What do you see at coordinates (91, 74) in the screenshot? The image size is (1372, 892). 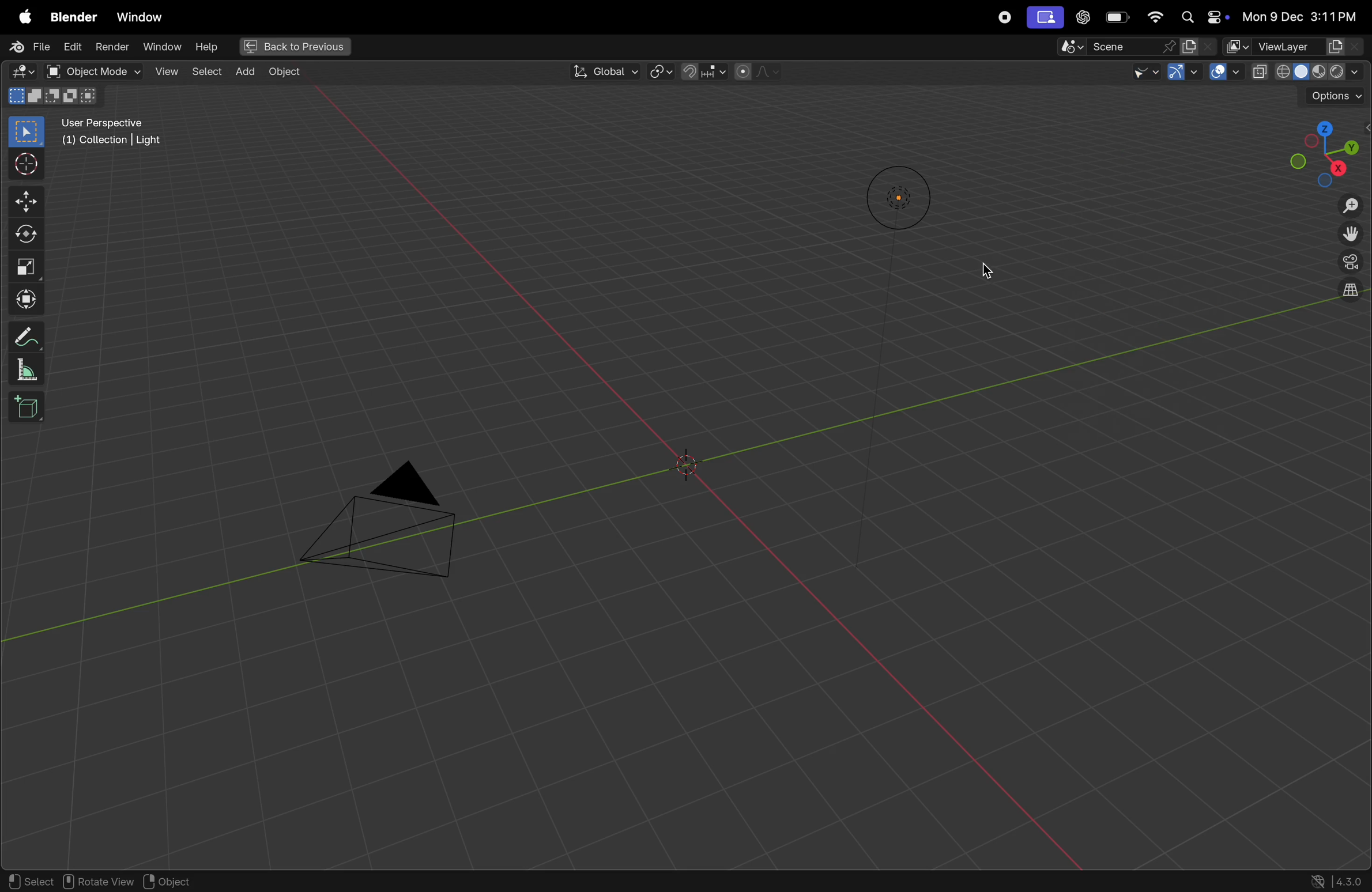 I see `` at bounding box center [91, 74].